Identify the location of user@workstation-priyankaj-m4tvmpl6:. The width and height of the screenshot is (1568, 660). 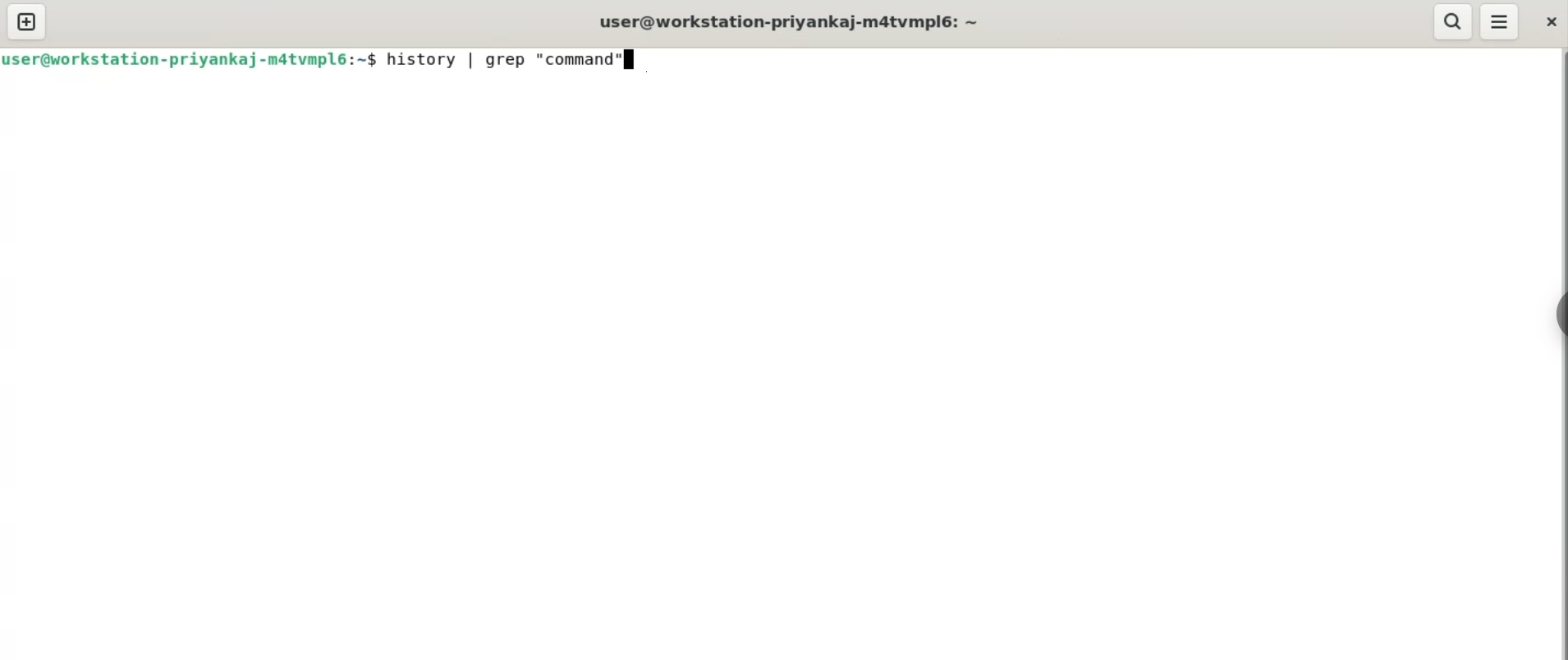
(178, 58).